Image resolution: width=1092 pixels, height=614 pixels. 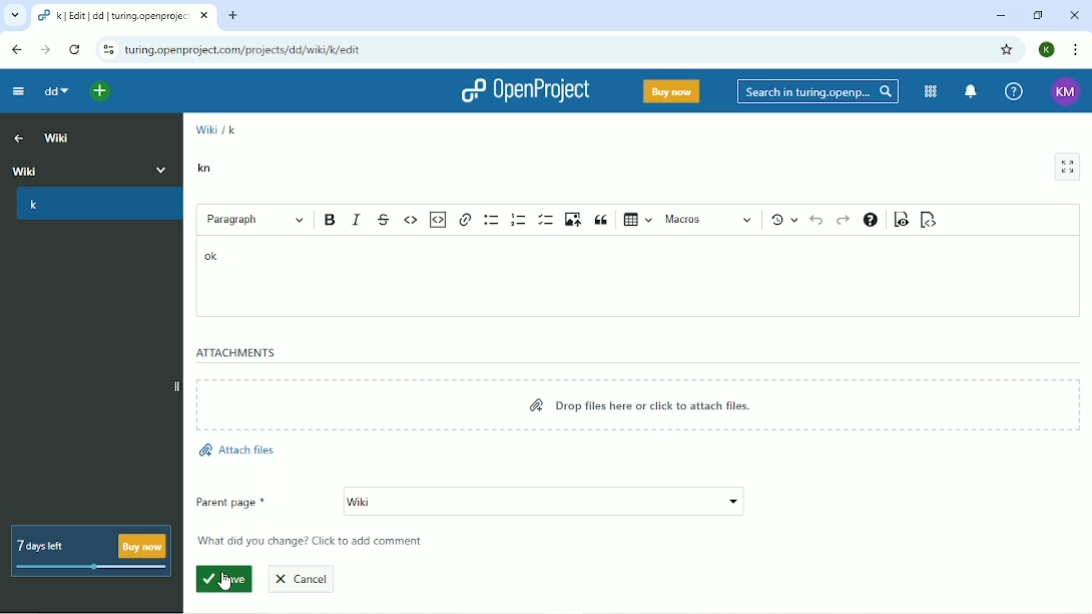 What do you see at coordinates (16, 50) in the screenshot?
I see `Back` at bounding box center [16, 50].